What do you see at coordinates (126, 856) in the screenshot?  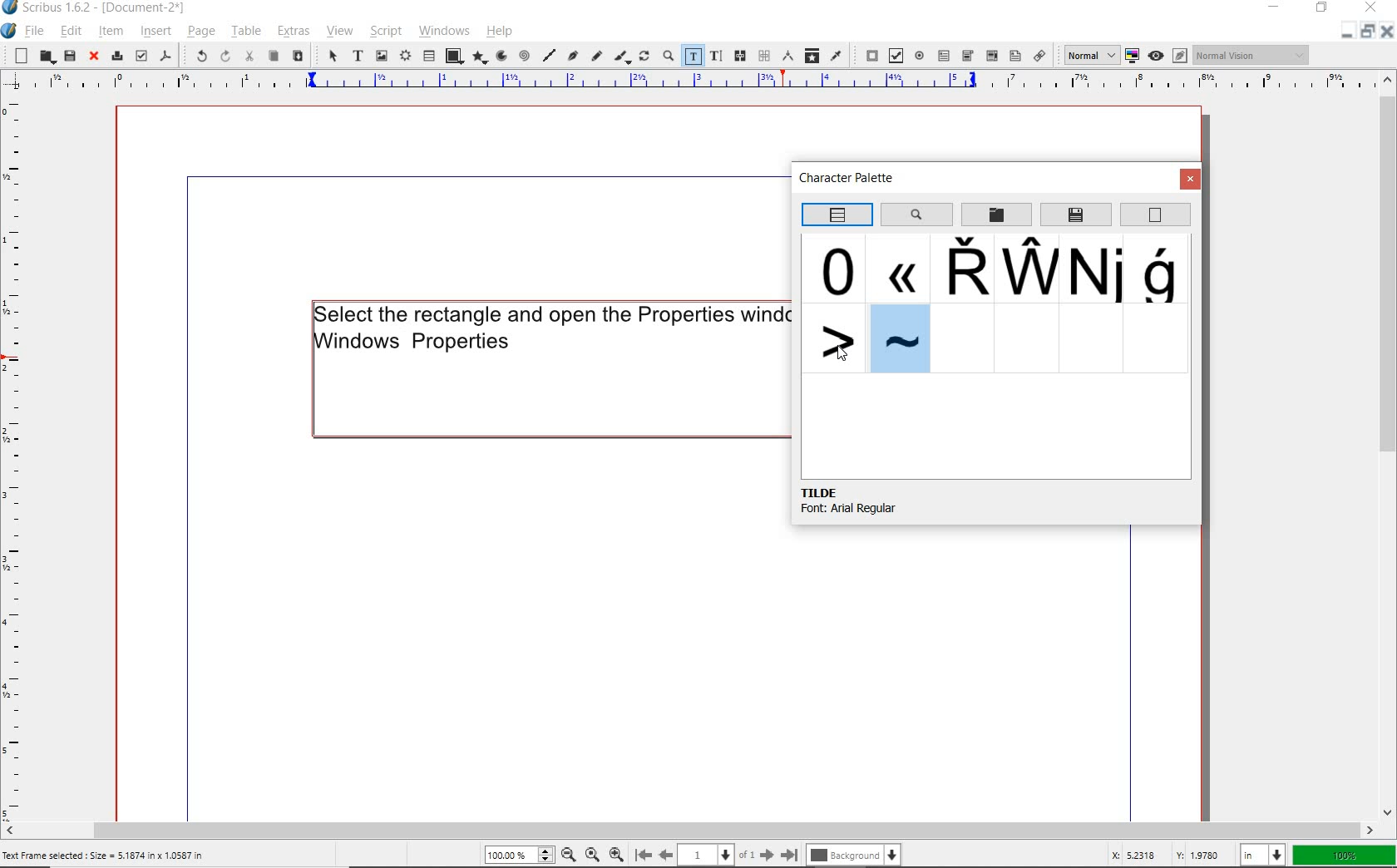 I see `Text Frame selected : Size = 5.1874 in x 1.0587 in` at bounding box center [126, 856].